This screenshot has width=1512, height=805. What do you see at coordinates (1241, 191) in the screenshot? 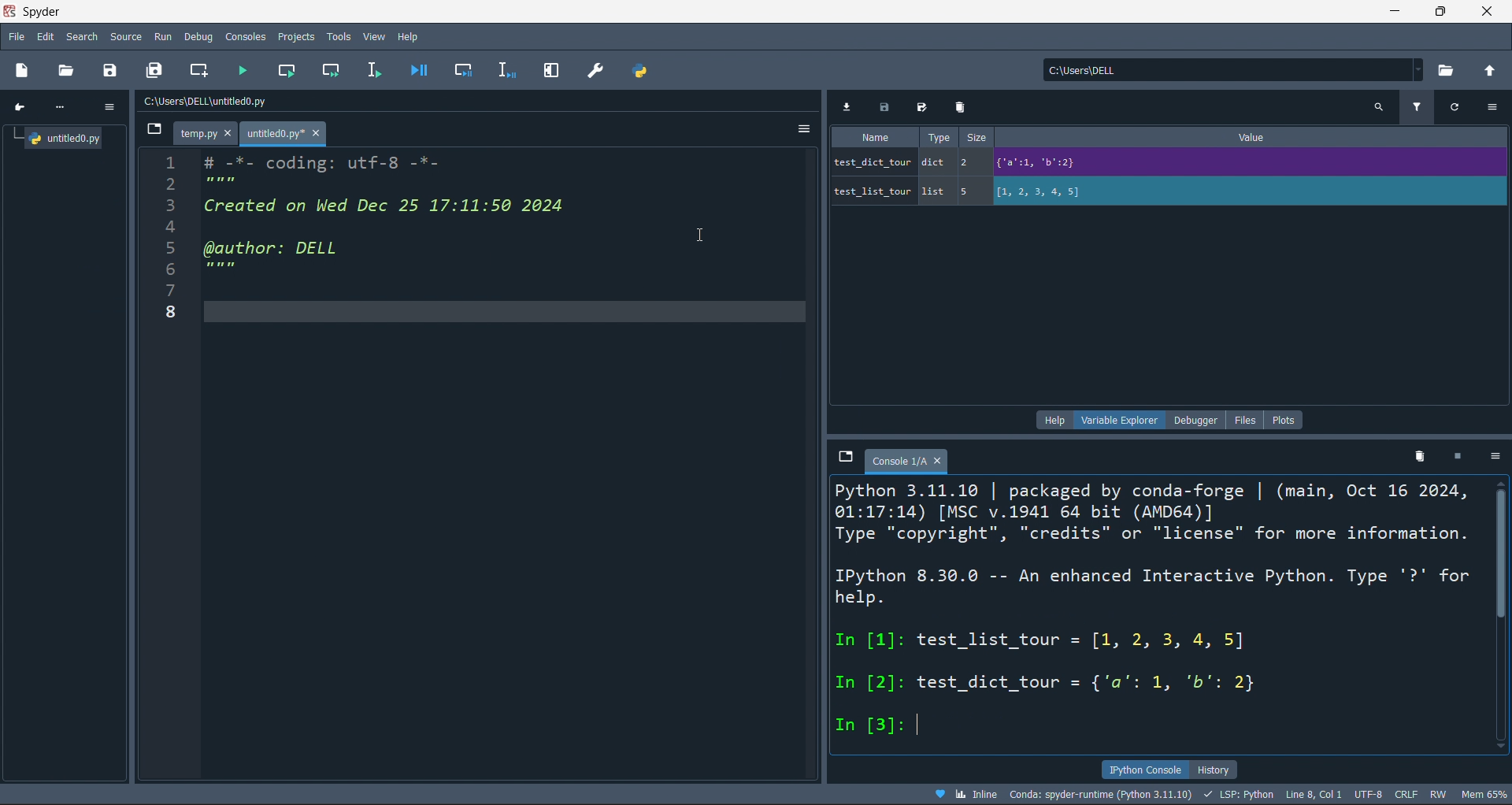
I see `value of variable` at bounding box center [1241, 191].